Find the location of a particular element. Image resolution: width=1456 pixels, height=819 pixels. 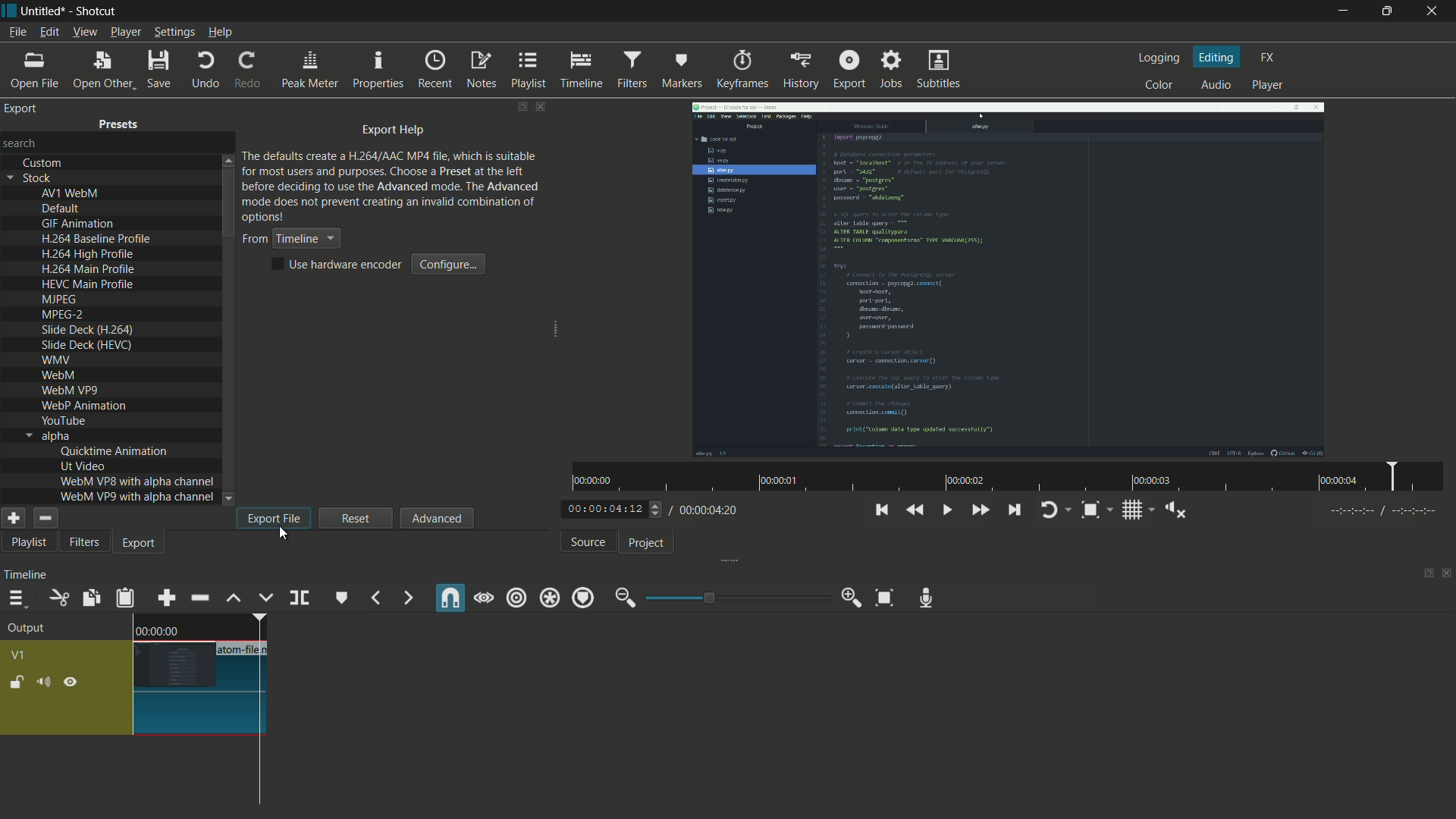

h.264 main profile is located at coordinates (88, 270).